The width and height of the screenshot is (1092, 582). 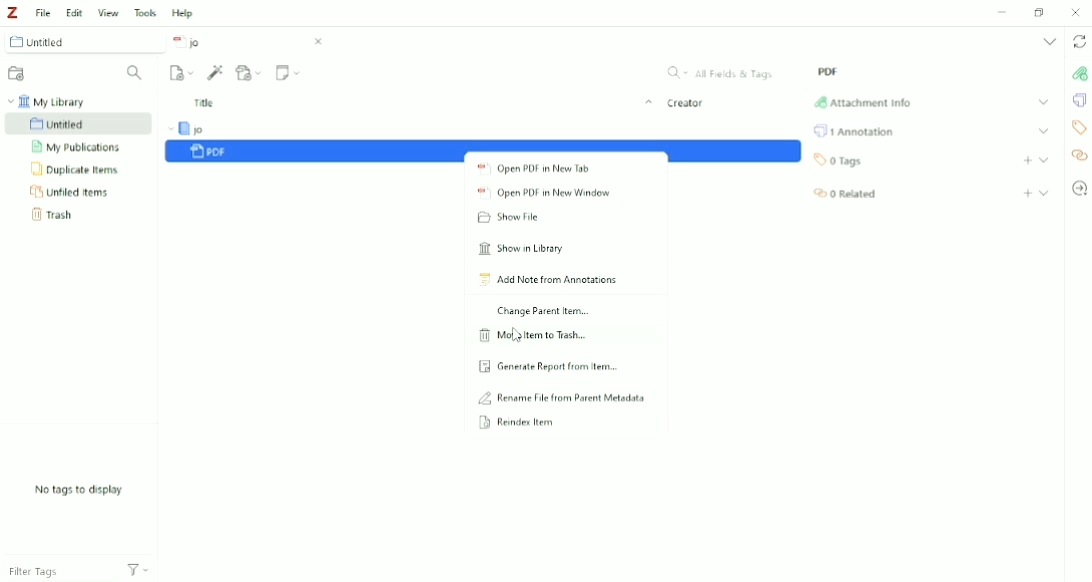 I want to click on Expand section, so click(x=1045, y=159).